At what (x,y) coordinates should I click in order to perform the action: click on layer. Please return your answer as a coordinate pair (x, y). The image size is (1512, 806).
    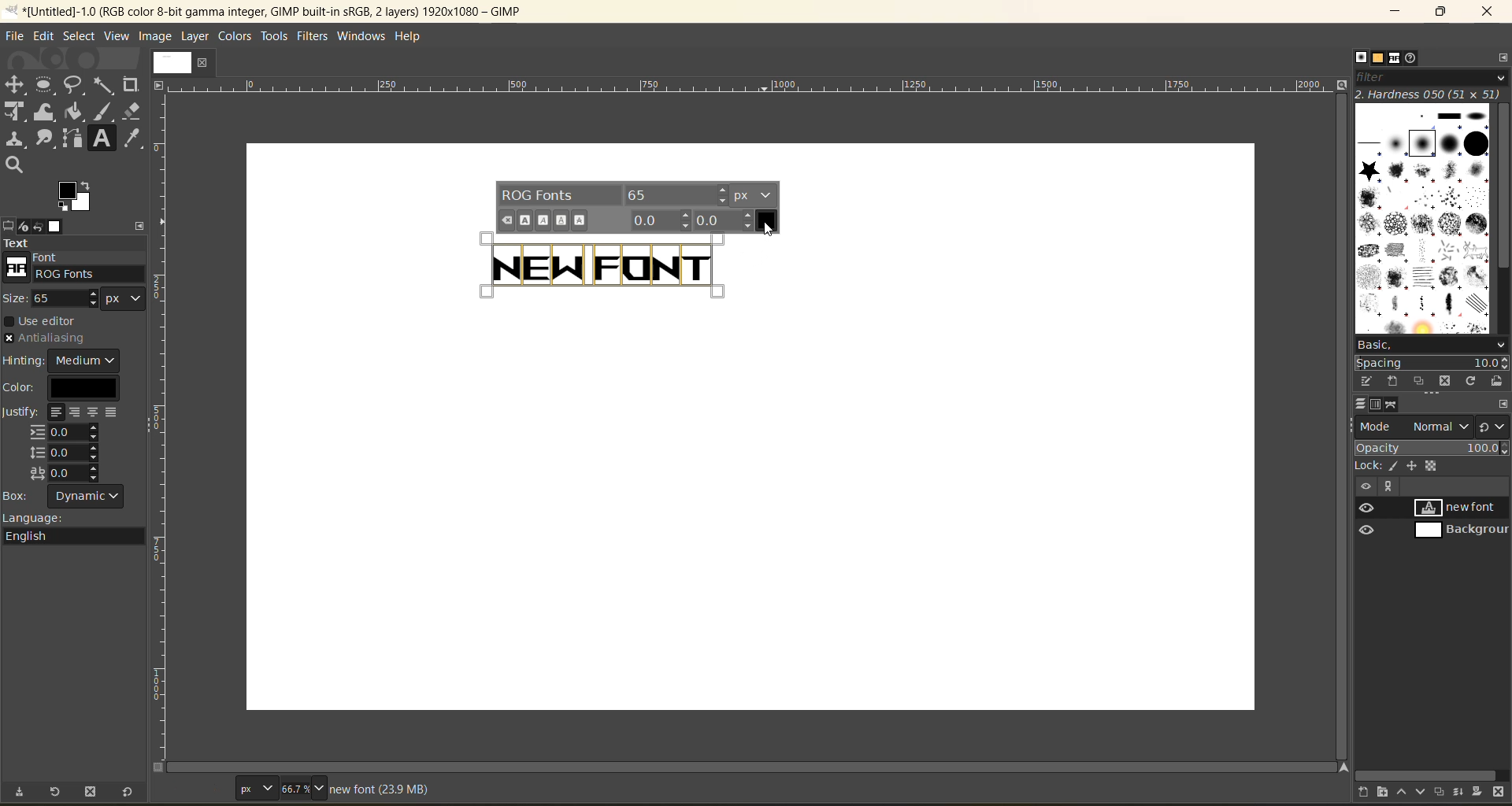
    Looking at the image, I should click on (197, 38).